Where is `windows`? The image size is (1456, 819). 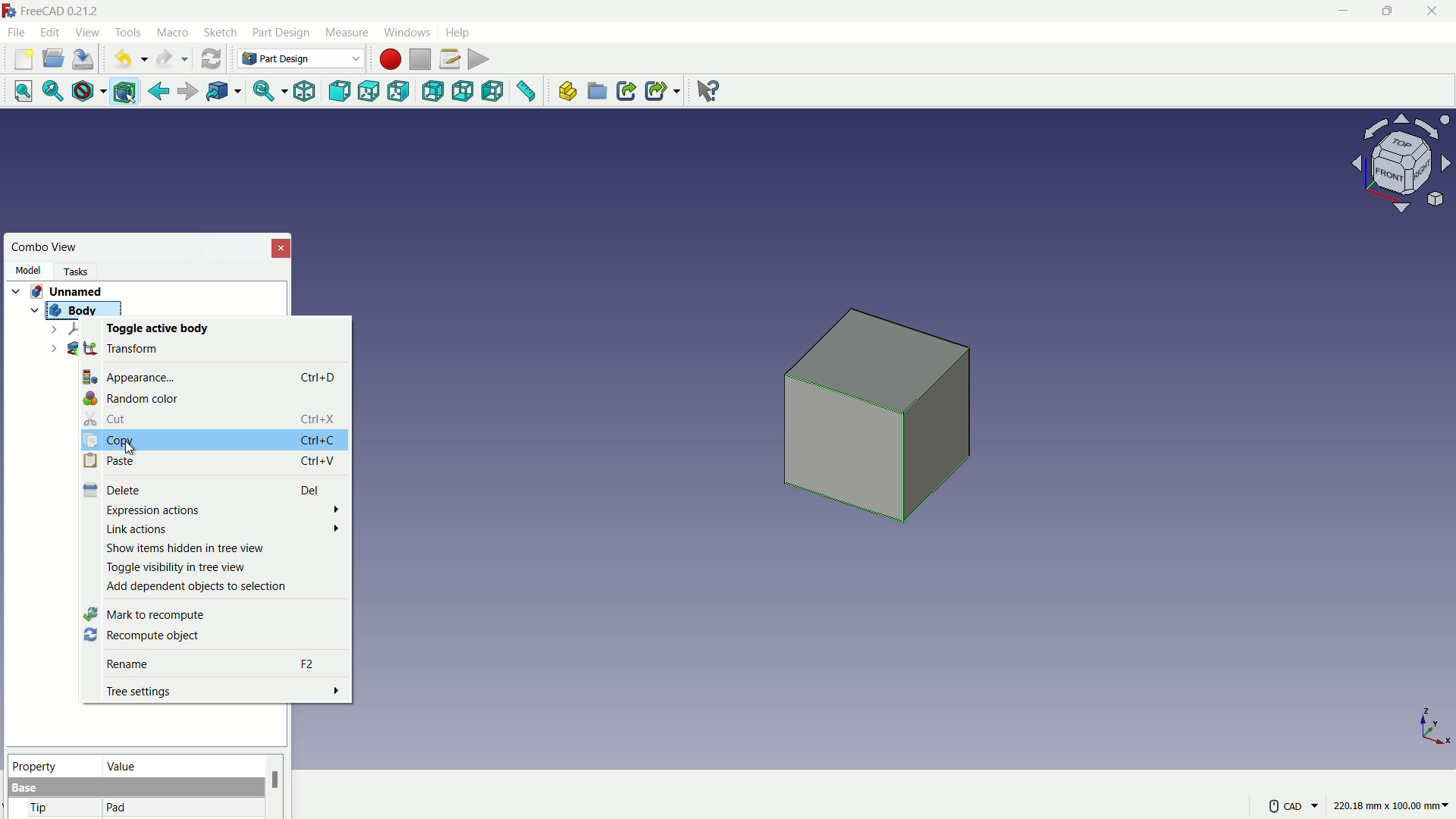
windows is located at coordinates (406, 32).